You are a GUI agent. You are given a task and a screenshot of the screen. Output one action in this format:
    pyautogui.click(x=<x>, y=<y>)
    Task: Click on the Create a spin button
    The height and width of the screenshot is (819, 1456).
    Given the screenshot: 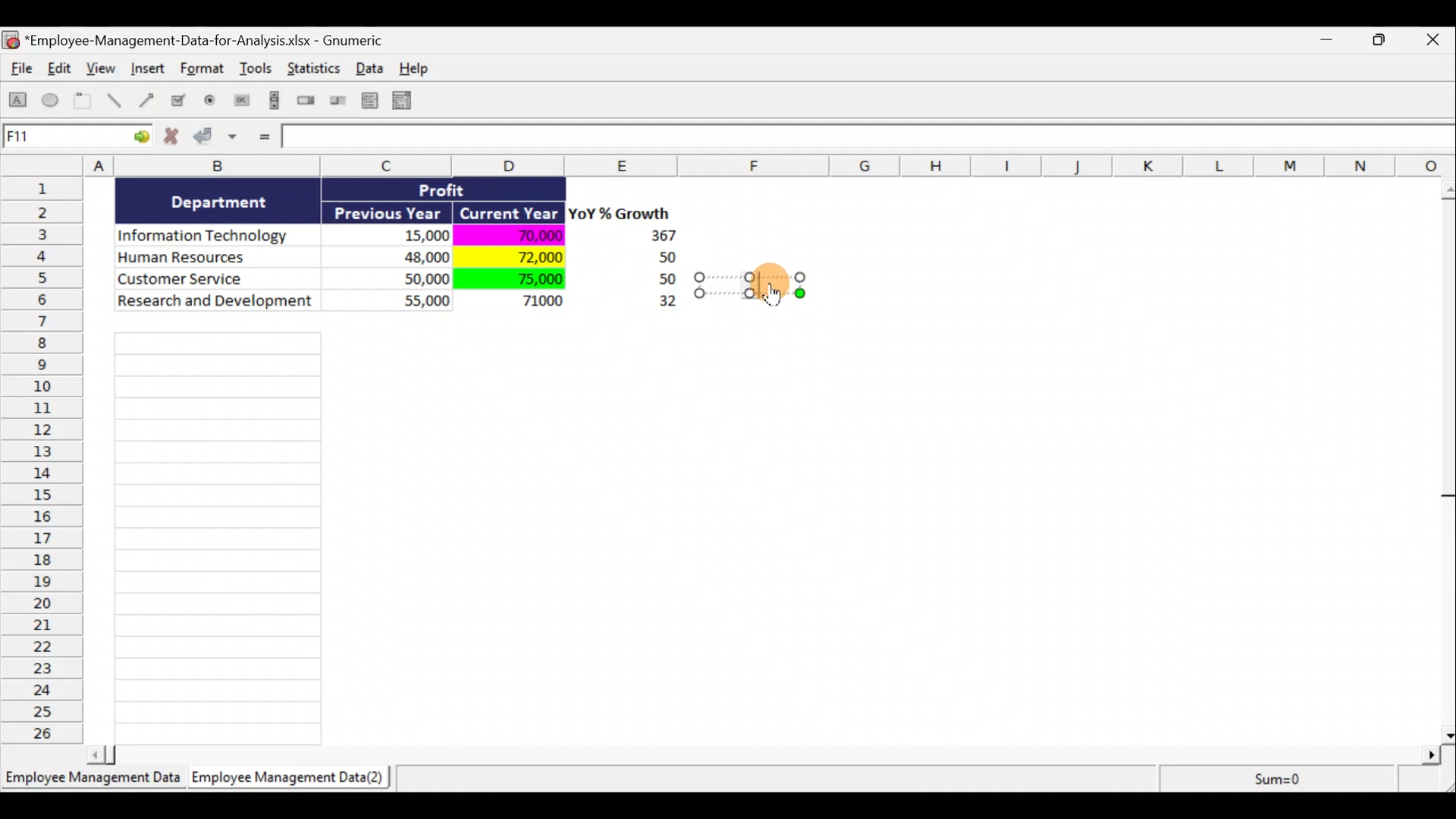 What is the action you would take?
    pyautogui.click(x=307, y=102)
    